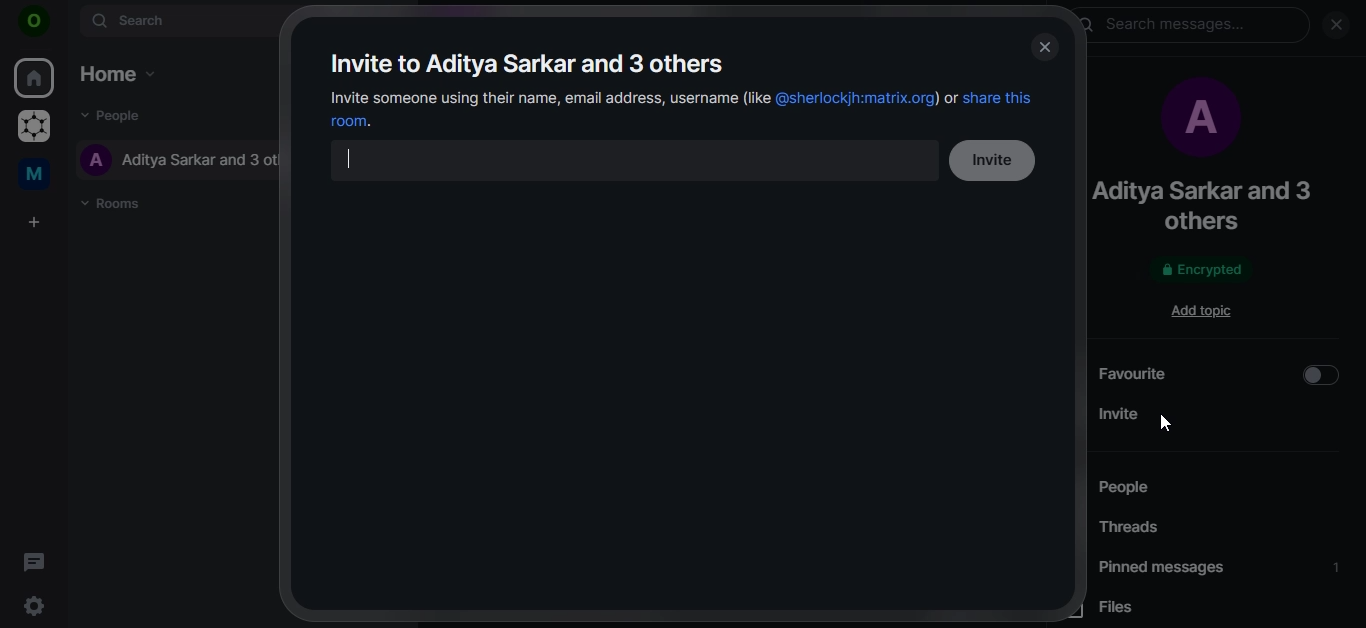 The width and height of the screenshot is (1366, 628). Describe the element at coordinates (1199, 271) in the screenshot. I see `encrypted` at that location.